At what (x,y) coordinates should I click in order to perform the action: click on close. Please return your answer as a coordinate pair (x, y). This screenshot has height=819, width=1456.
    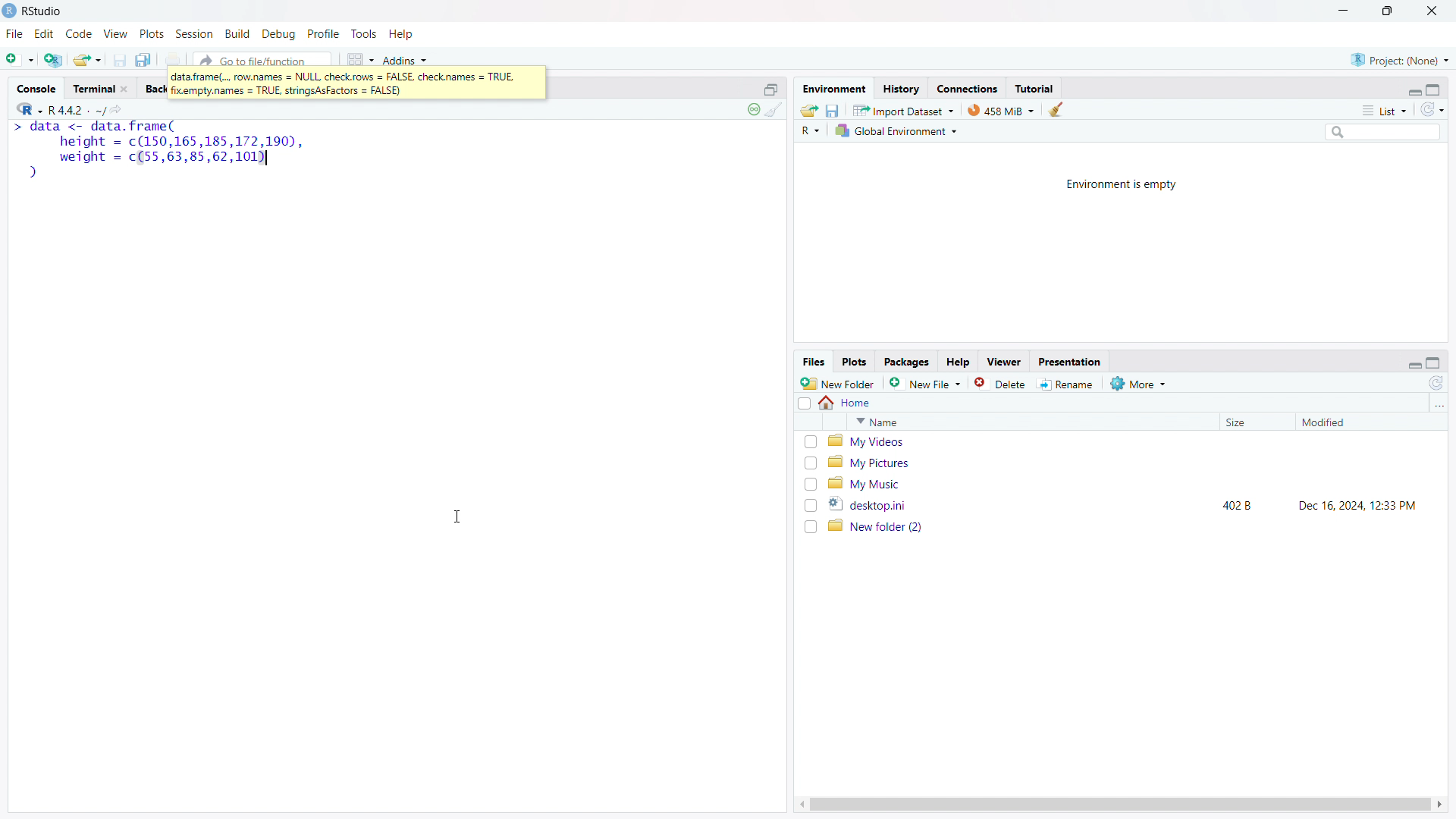
    Looking at the image, I should click on (1432, 11).